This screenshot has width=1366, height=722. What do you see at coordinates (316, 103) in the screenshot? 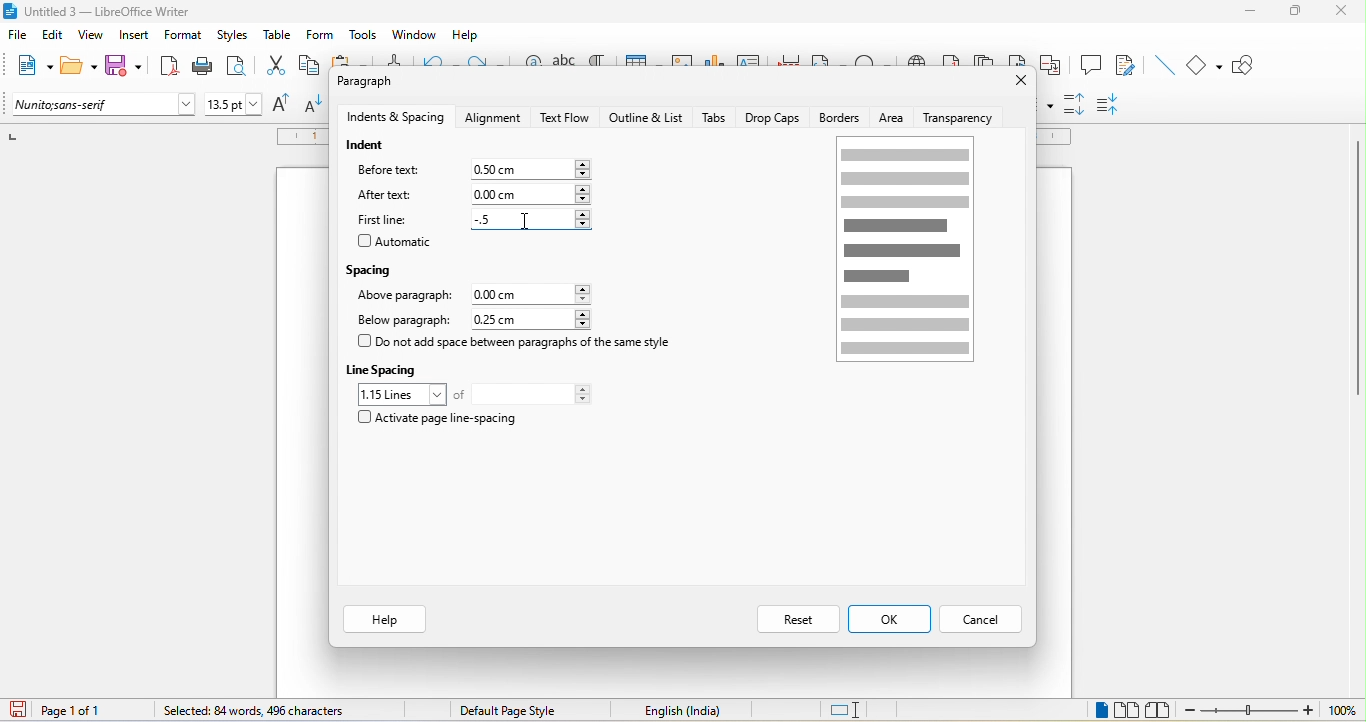
I see `decrease size` at bounding box center [316, 103].